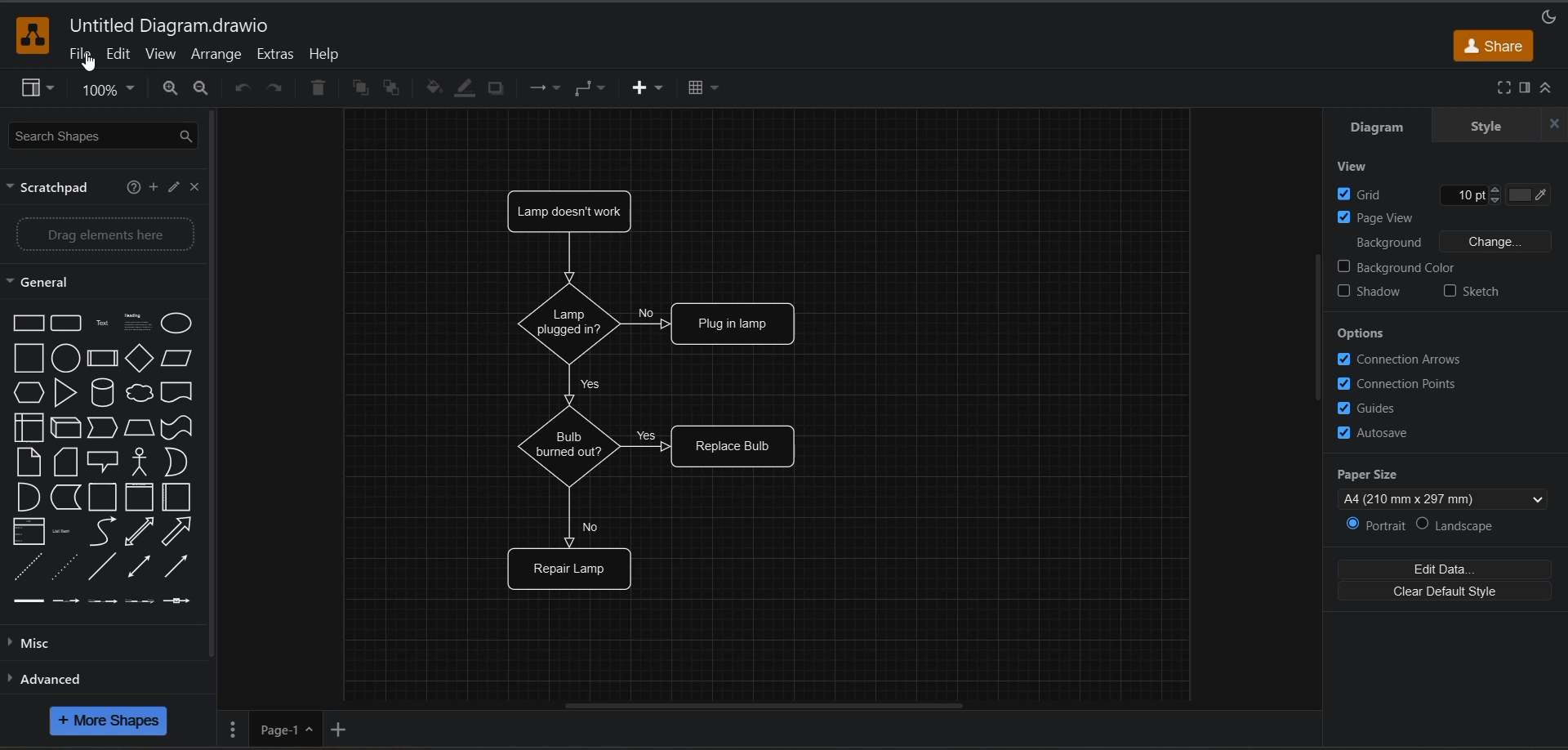 Image resolution: width=1568 pixels, height=750 pixels. What do you see at coordinates (37, 88) in the screenshot?
I see `view` at bounding box center [37, 88].